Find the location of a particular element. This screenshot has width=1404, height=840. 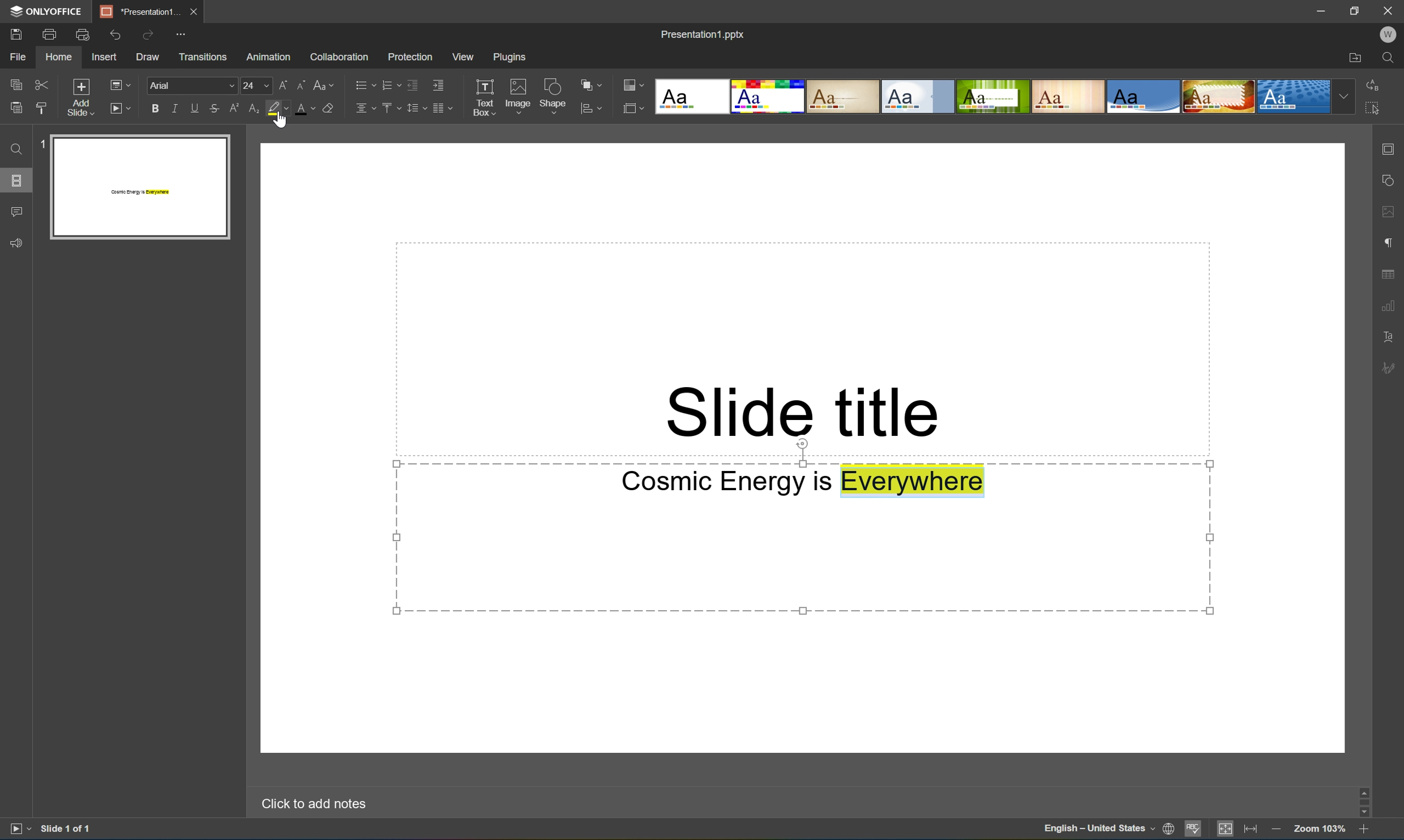

Add Slide is located at coordinates (82, 98).